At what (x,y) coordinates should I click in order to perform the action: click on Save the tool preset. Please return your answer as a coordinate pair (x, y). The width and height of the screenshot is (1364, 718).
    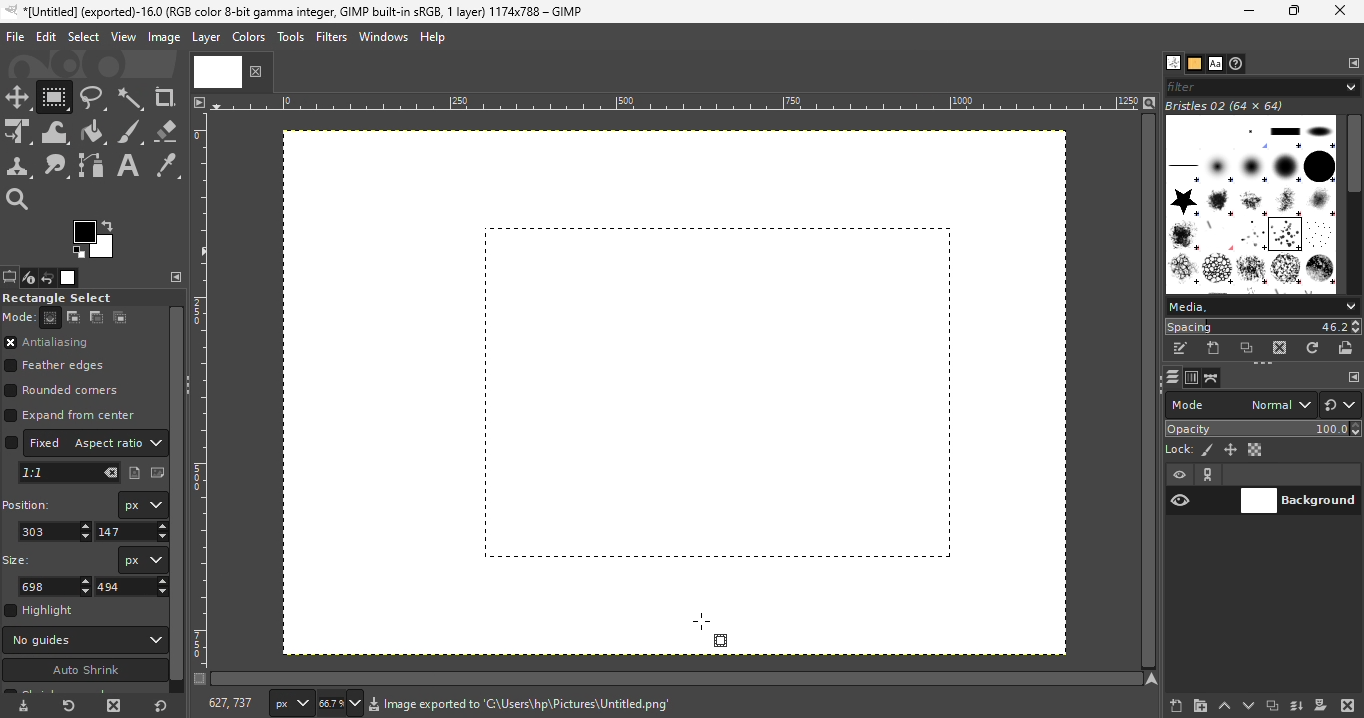
    Looking at the image, I should click on (23, 708).